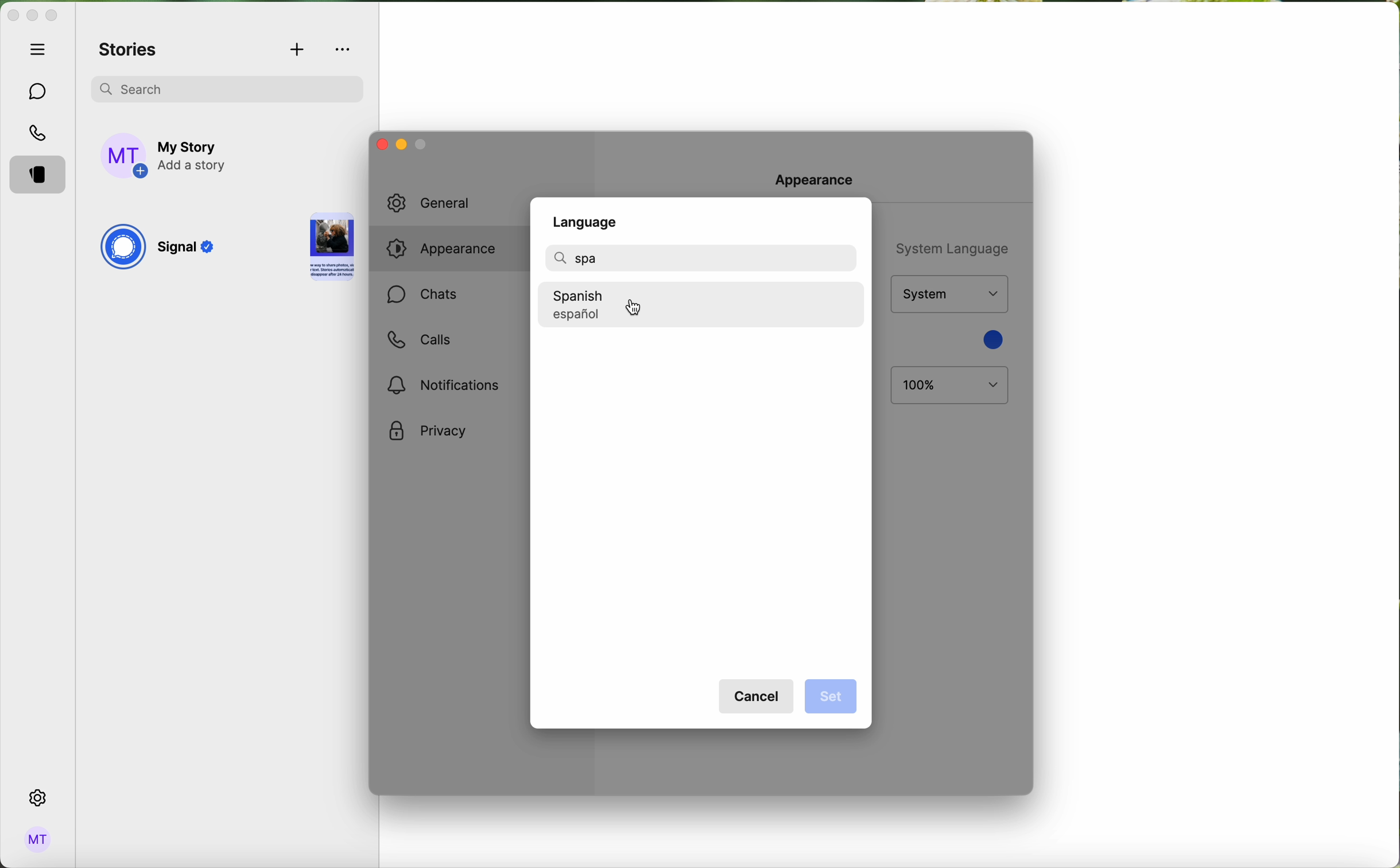 This screenshot has width=1400, height=868. I want to click on close Signal, so click(12, 16).